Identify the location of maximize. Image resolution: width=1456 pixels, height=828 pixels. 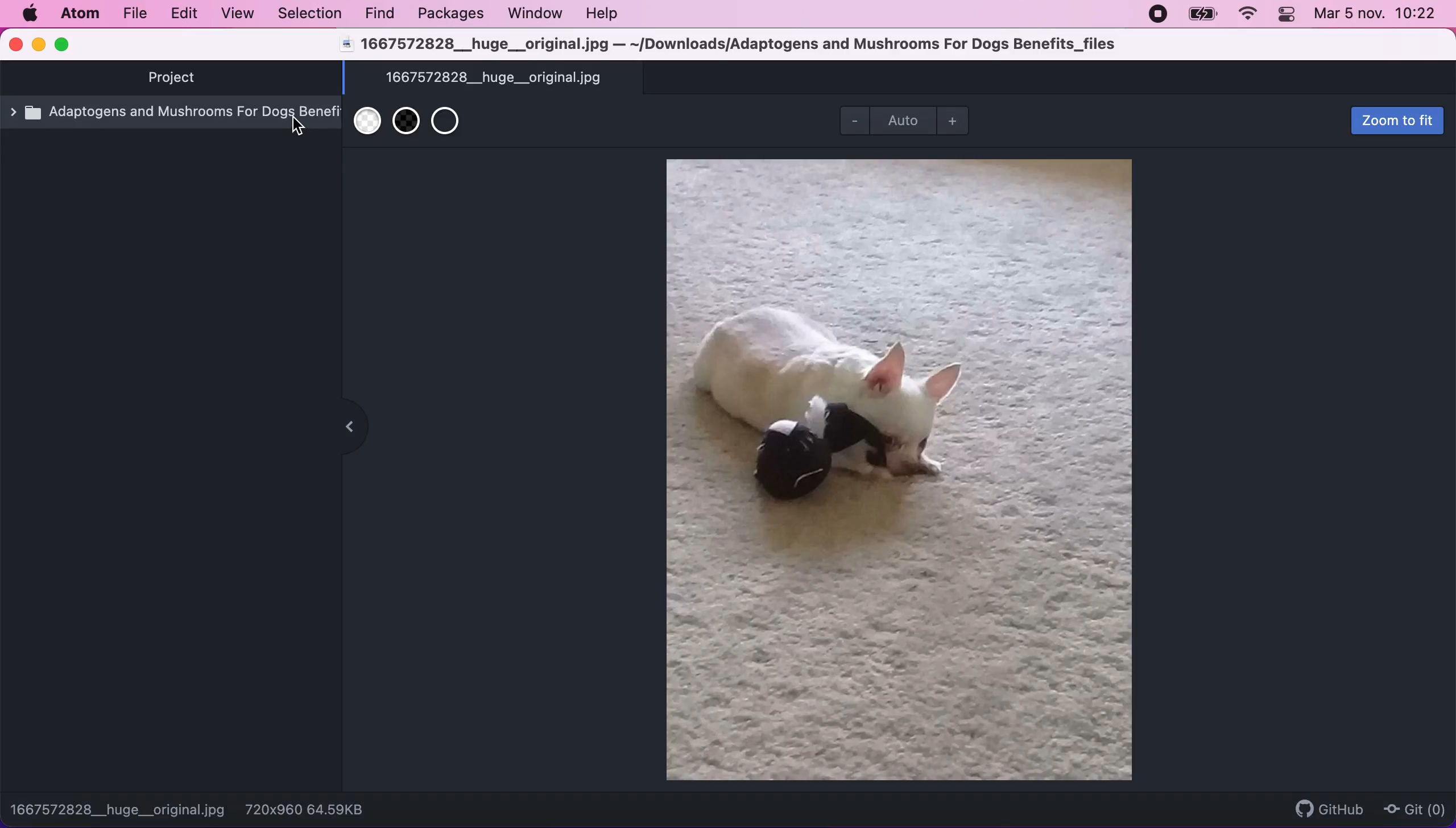
(65, 44).